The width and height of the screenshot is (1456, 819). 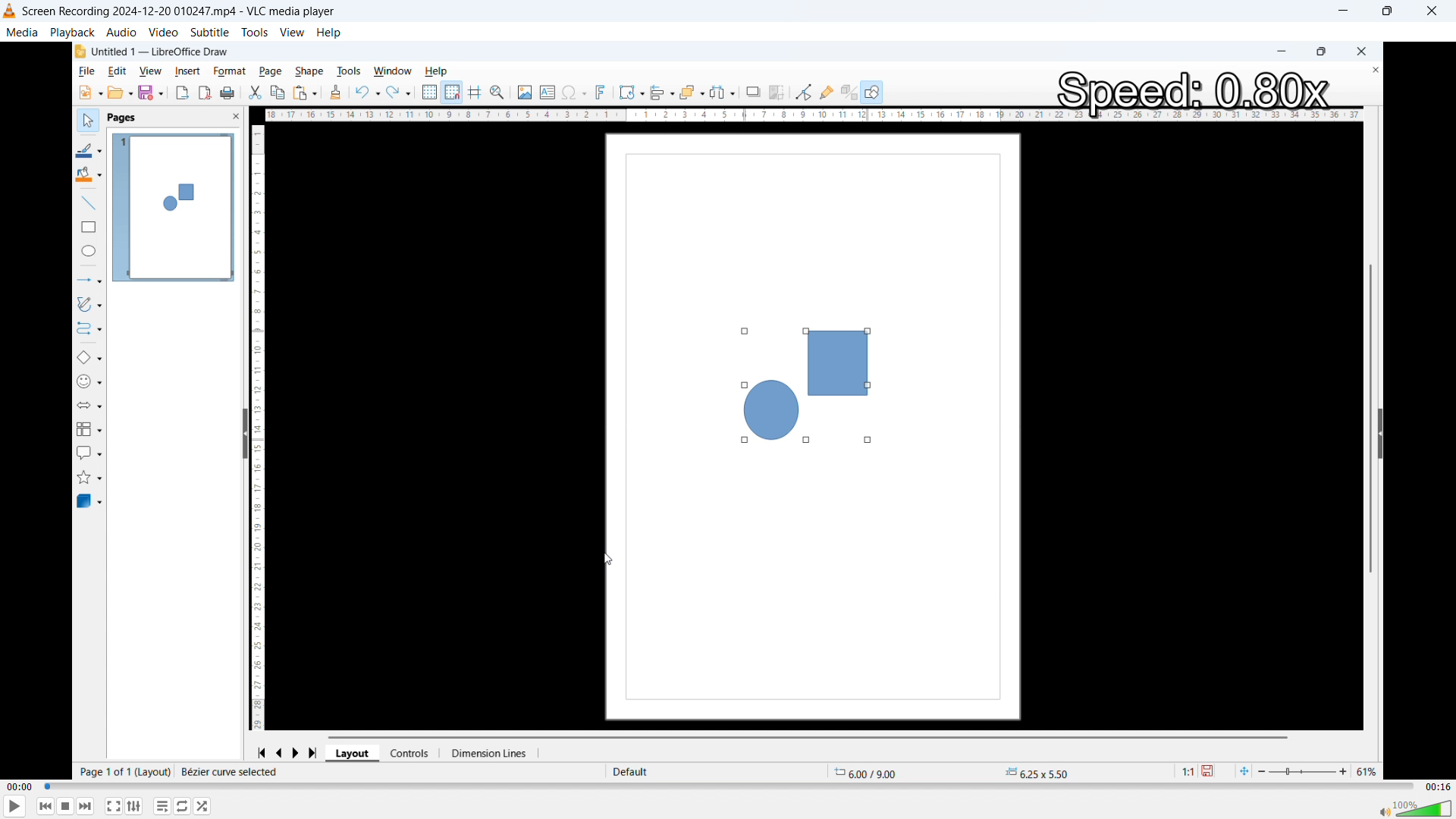 What do you see at coordinates (255, 32) in the screenshot?
I see `Tools ` at bounding box center [255, 32].